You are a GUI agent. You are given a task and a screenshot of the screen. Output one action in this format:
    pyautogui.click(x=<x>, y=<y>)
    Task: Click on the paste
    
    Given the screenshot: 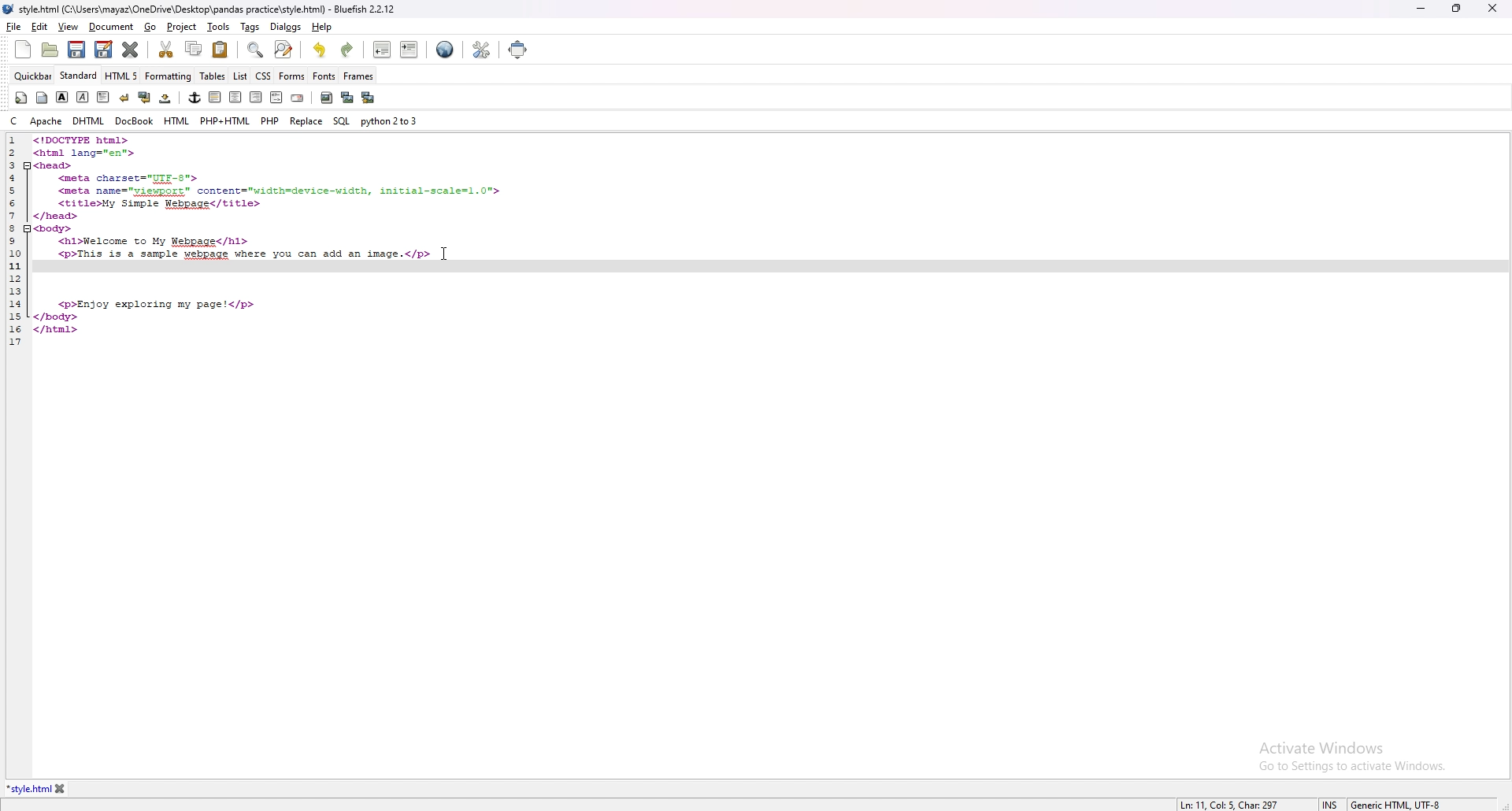 What is the action you would take?
    pyautogui.click(x=220, y=50)
    